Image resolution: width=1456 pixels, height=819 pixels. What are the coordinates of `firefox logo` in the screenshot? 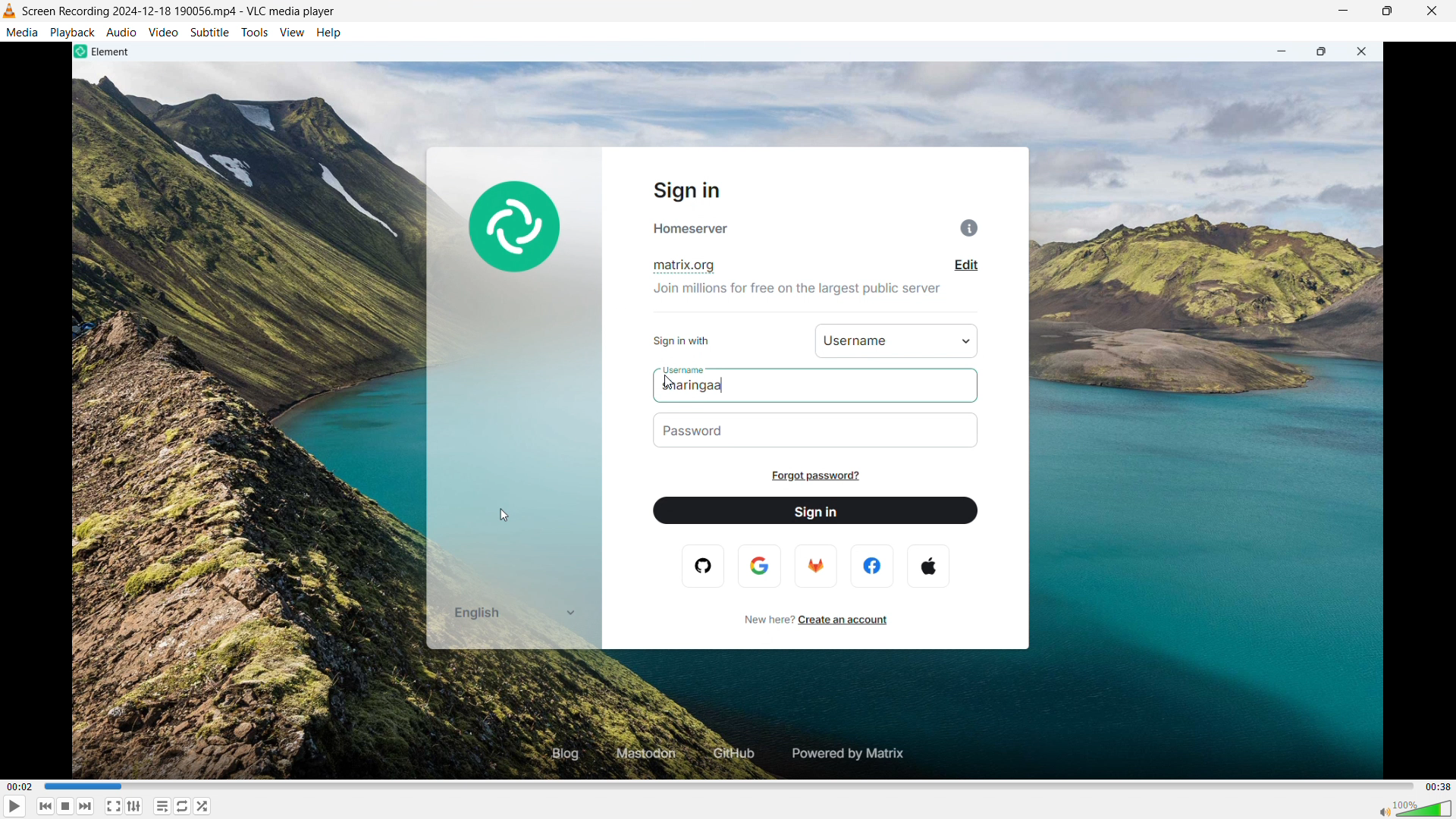 It's located at (817, 566).